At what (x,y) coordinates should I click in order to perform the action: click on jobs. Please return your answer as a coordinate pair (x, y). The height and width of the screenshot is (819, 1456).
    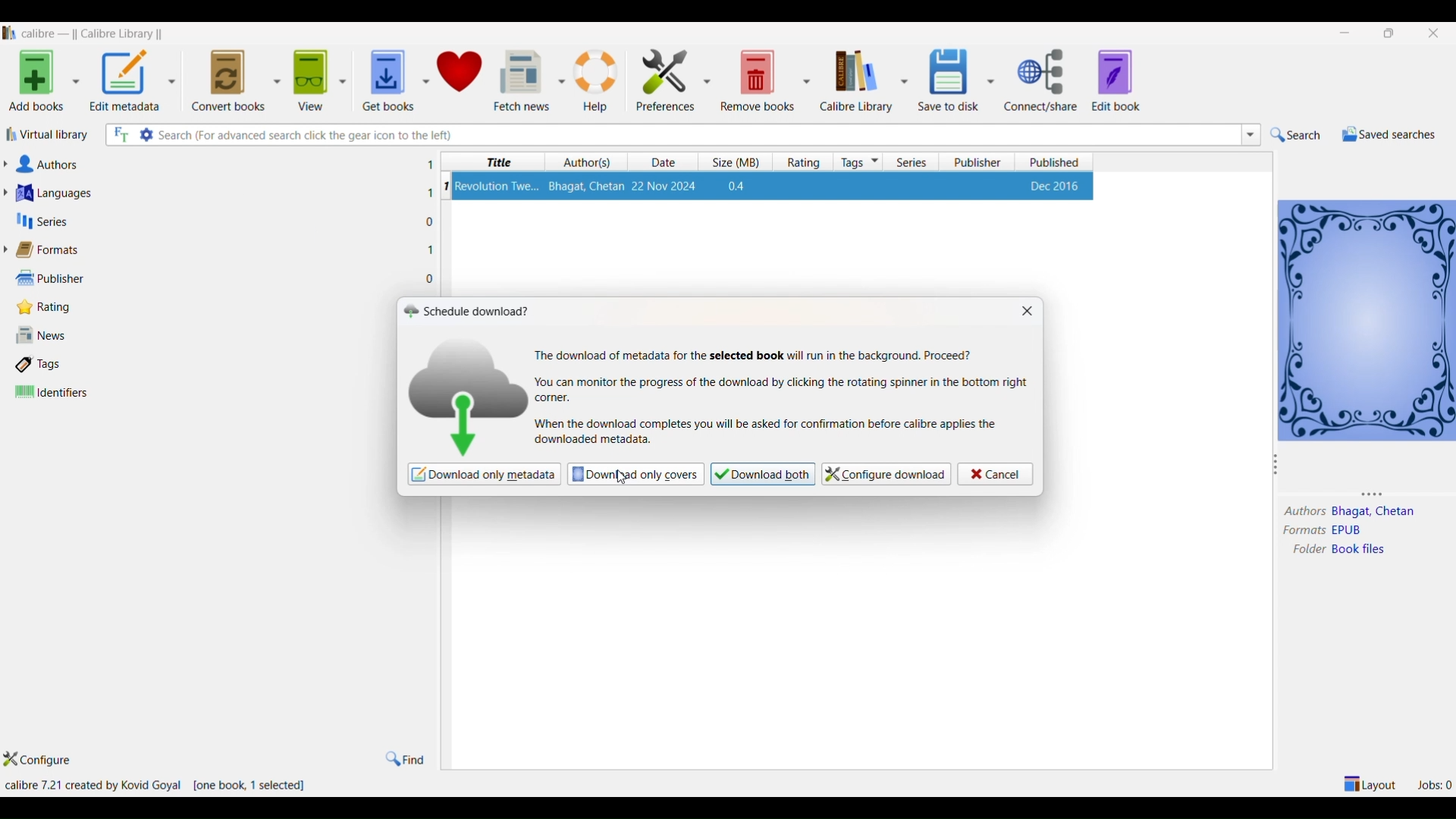
    Looking at the image, I should click on (1434, 783).